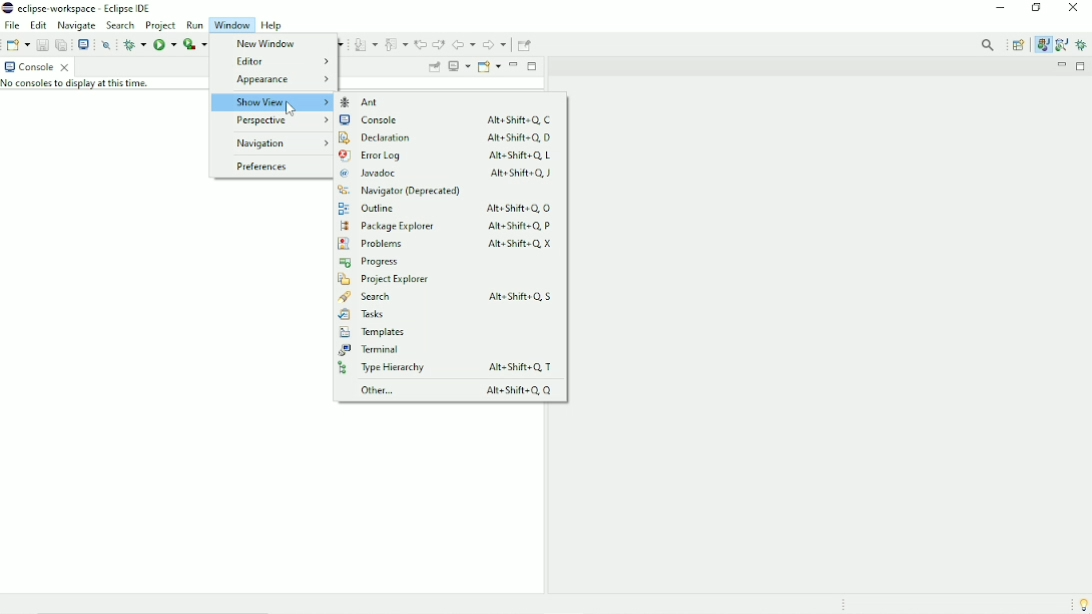 This screenshot has height=614, width=1092. What do you see at coordinates (1074, 11) in the screenshot?
I see `Close` at bounding box center [1074, 11].